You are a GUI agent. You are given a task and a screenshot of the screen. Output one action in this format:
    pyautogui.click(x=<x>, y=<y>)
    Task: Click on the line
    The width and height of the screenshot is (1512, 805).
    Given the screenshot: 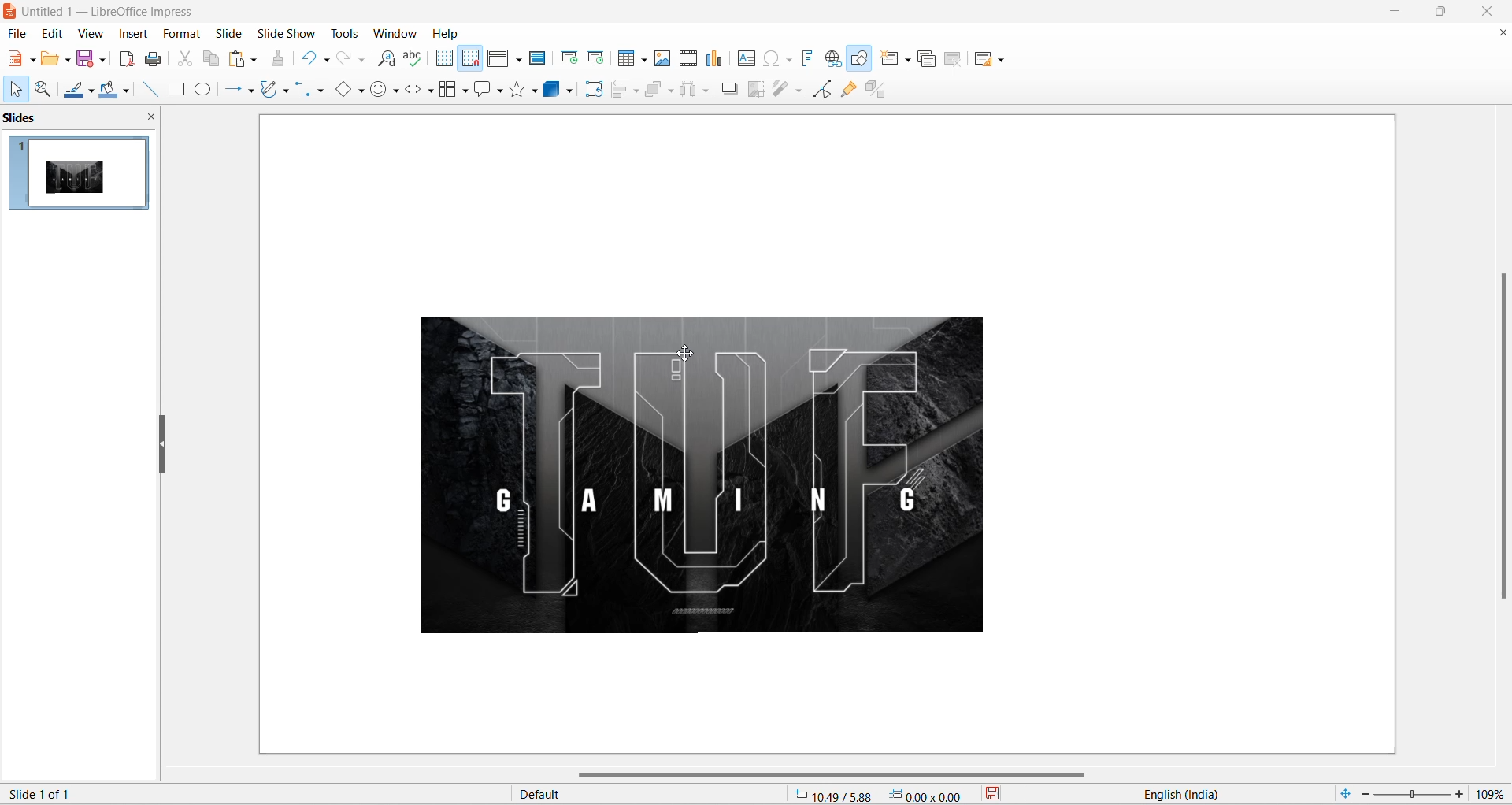 What is the action you would take?
    pyautogui.click(x=146, y=89)
    